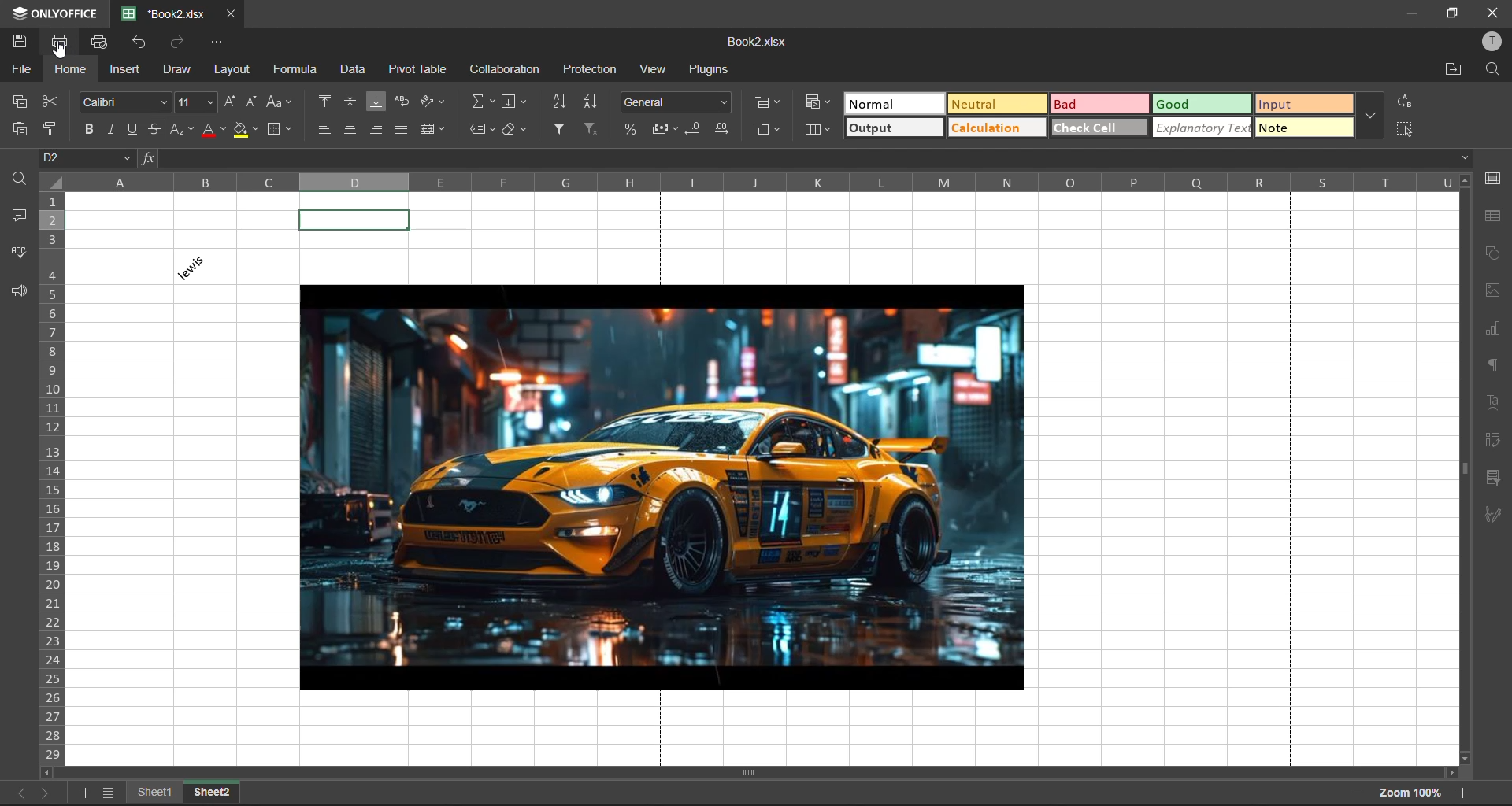  What do you see at coordinates (1494, 68) in the screenshot?
I see `find` at bounding box center [1494, 68].